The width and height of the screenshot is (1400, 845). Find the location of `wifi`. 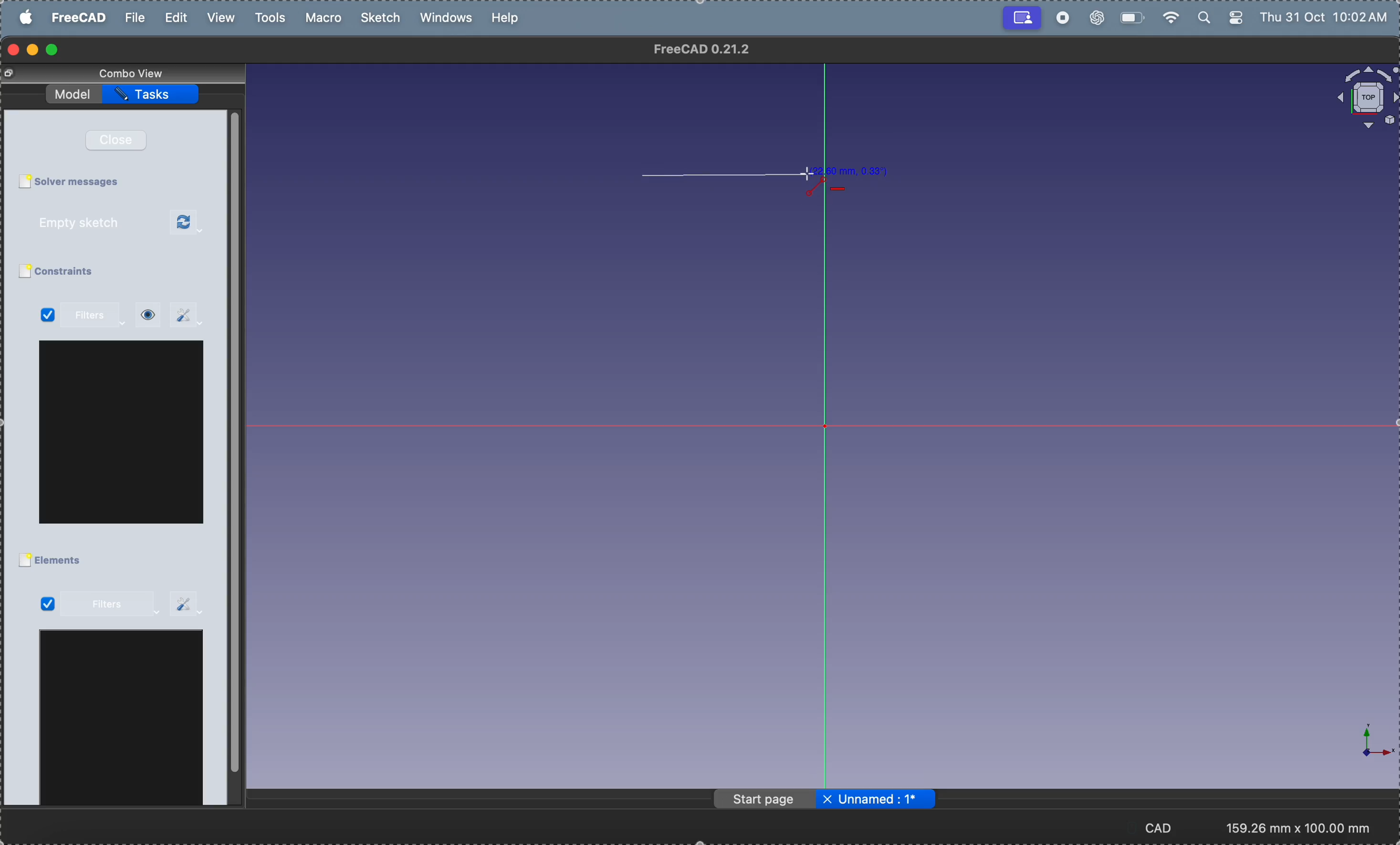

wifi is located at coordinates (1168, 18).